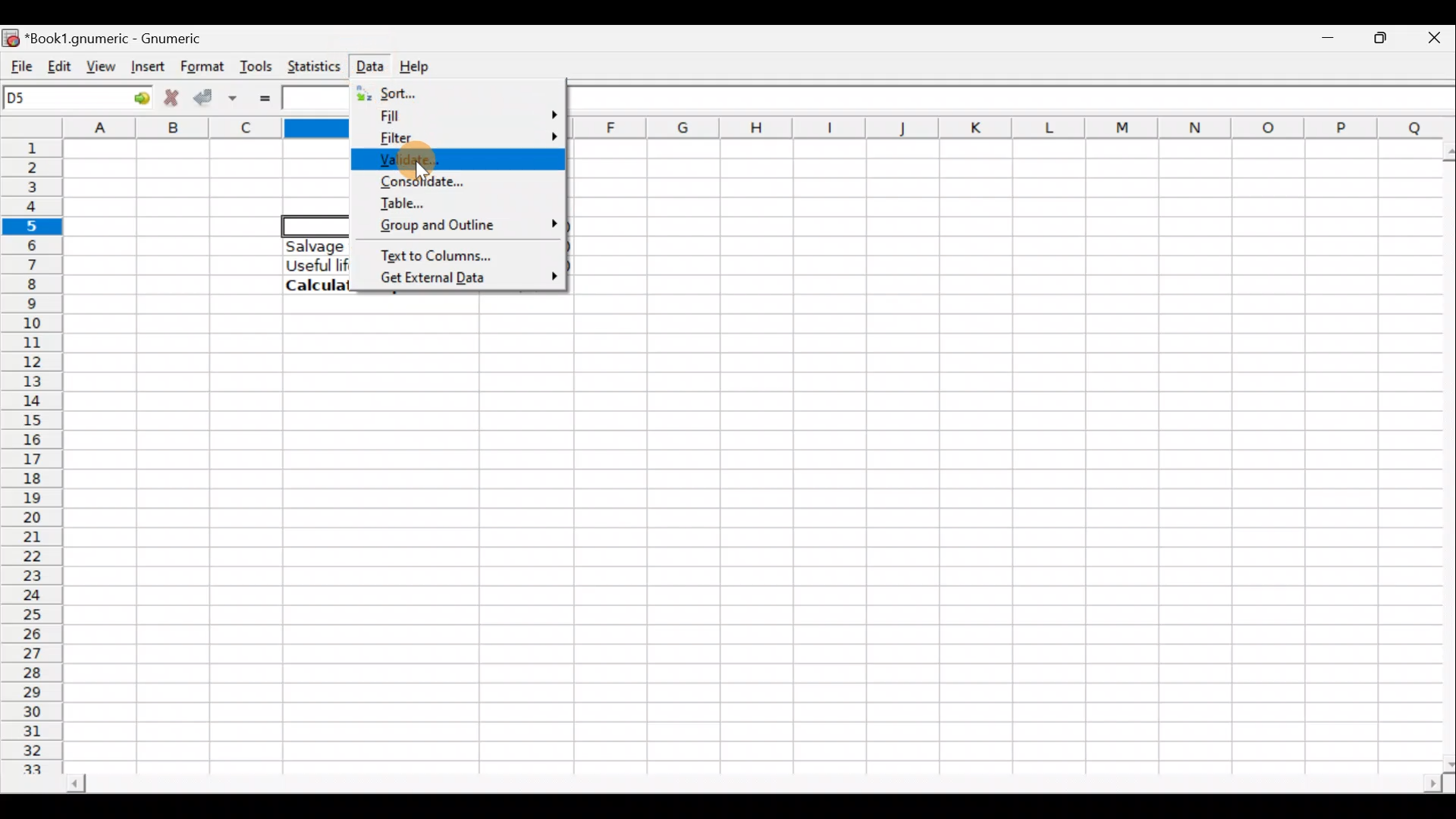 The image size is (1456, 819). Describe the element at coordinates (33, 448) in the screenshot. I see `Rows` at that location.